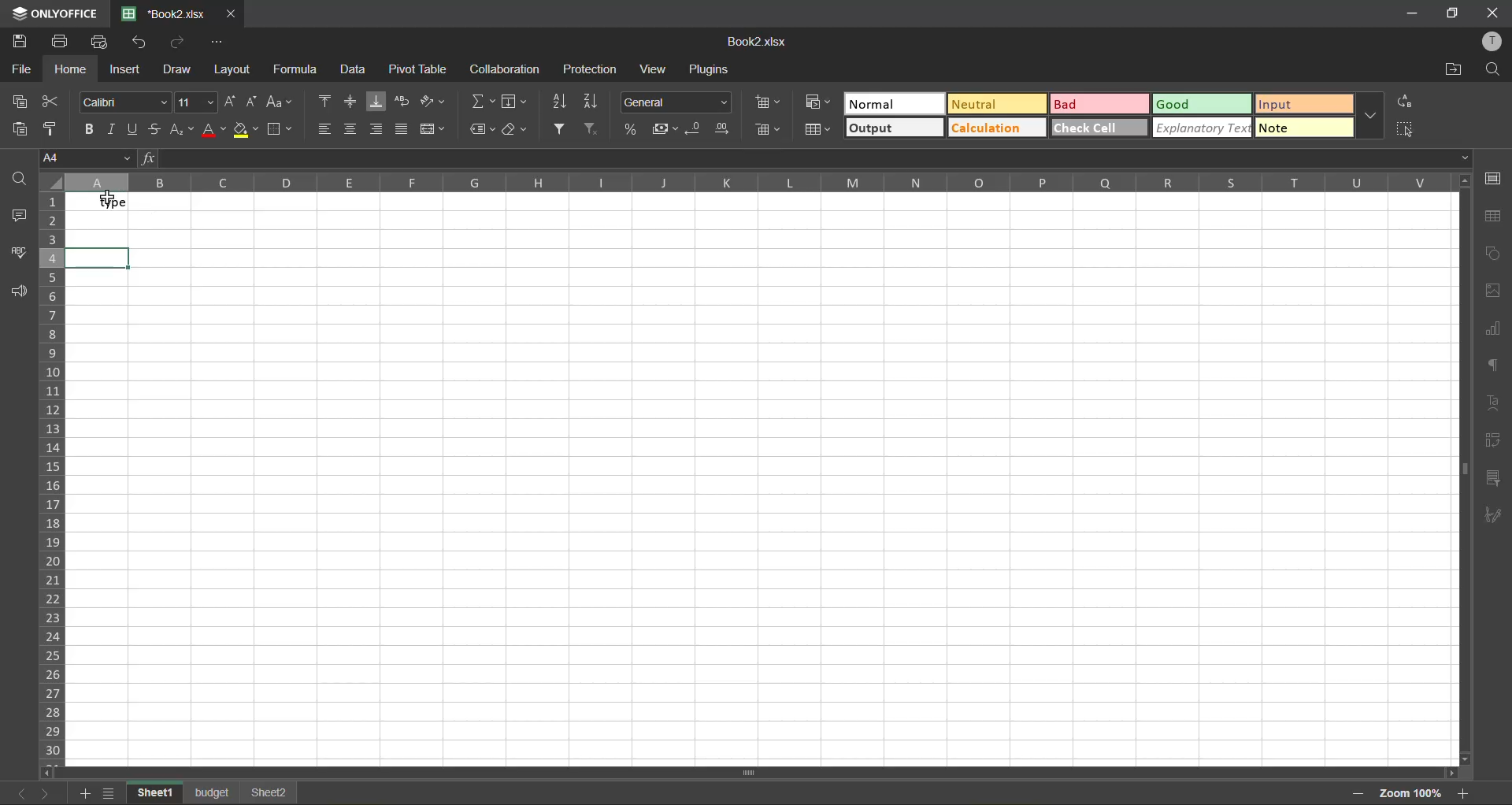  What do you see at coordinates (353, 72) in the screenshot?
I see `data` at bounding box center [353, 72].